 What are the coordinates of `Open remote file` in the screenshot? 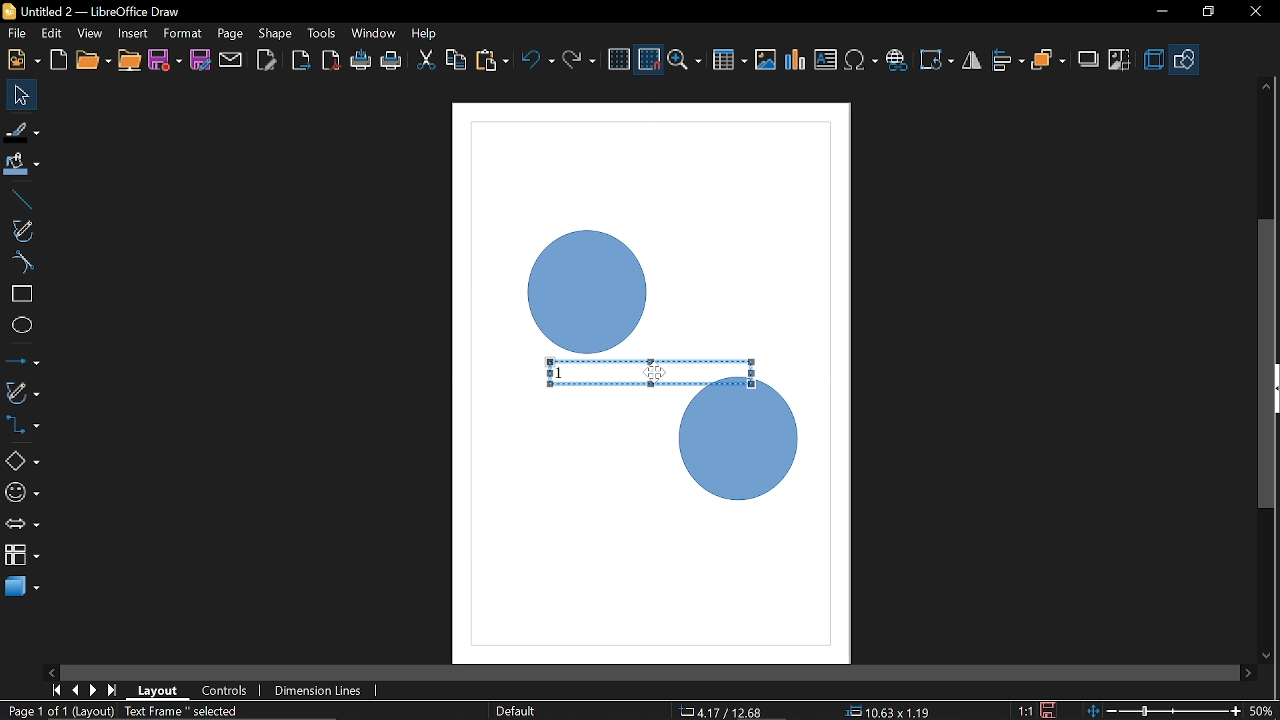 It's located at (130, 61).